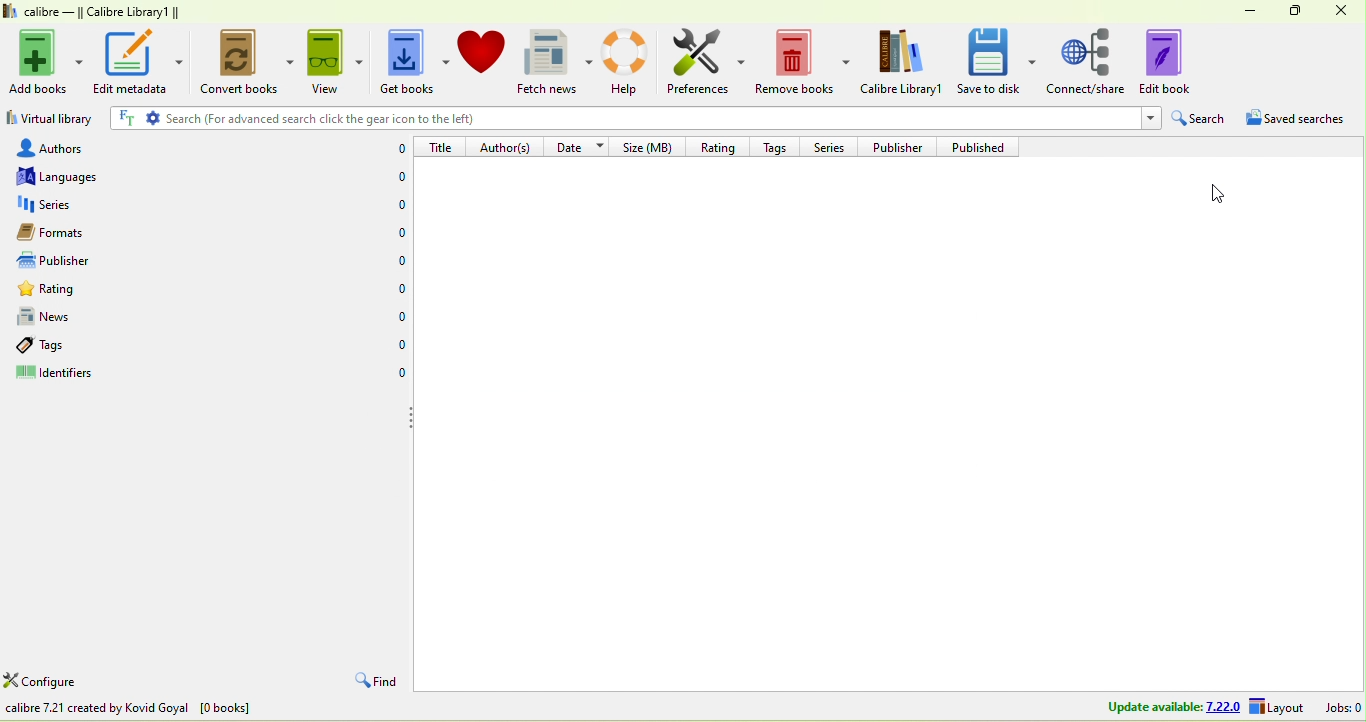  Describe the element at coordinates (68, 345) in the screenshot. I see `tags` at that location.